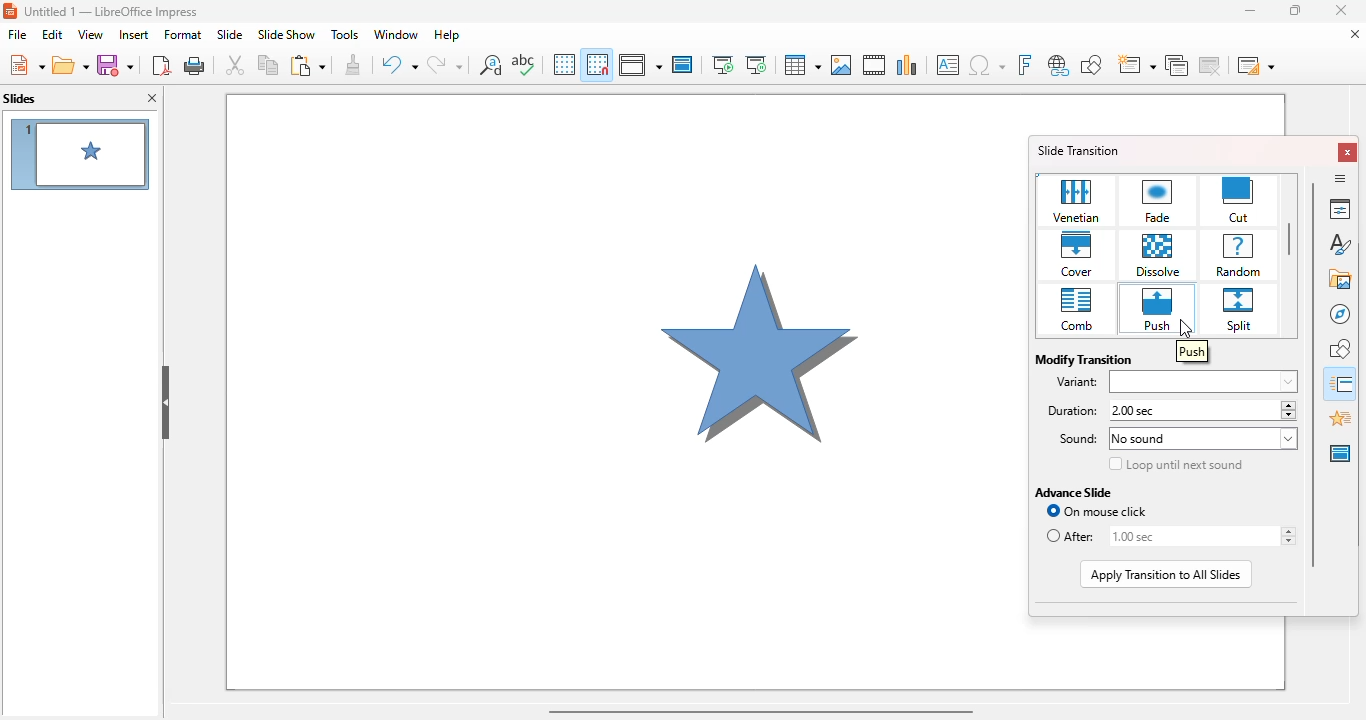 This screenshot has height=720, width=1366. What do you see at coordinates (1341, 278) in the screenshot?
I see `gallery` at bounding box center [1341, 278].